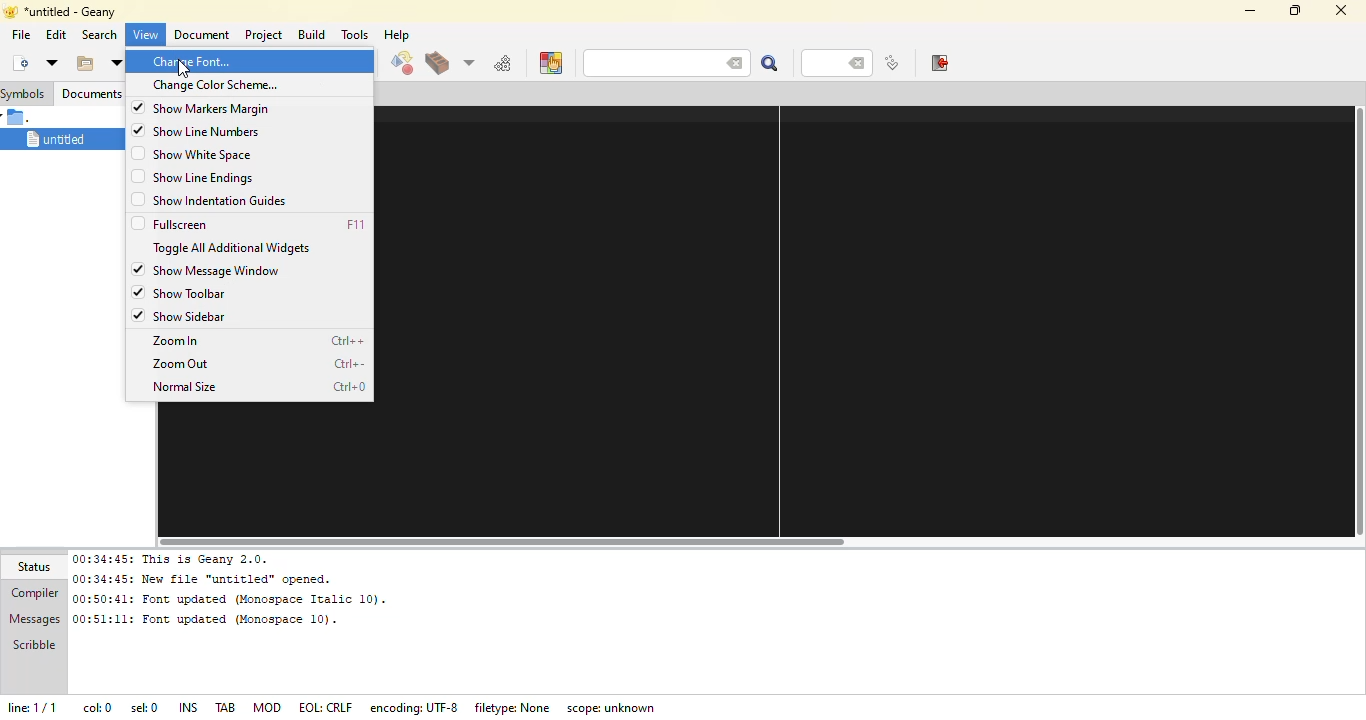 Image resolution: width=1366 pixels, height=720 pixels. What do you see at coordinates (1293, 9) in the screenshot?
I see `maximize` at bounding box center [1293, 9].